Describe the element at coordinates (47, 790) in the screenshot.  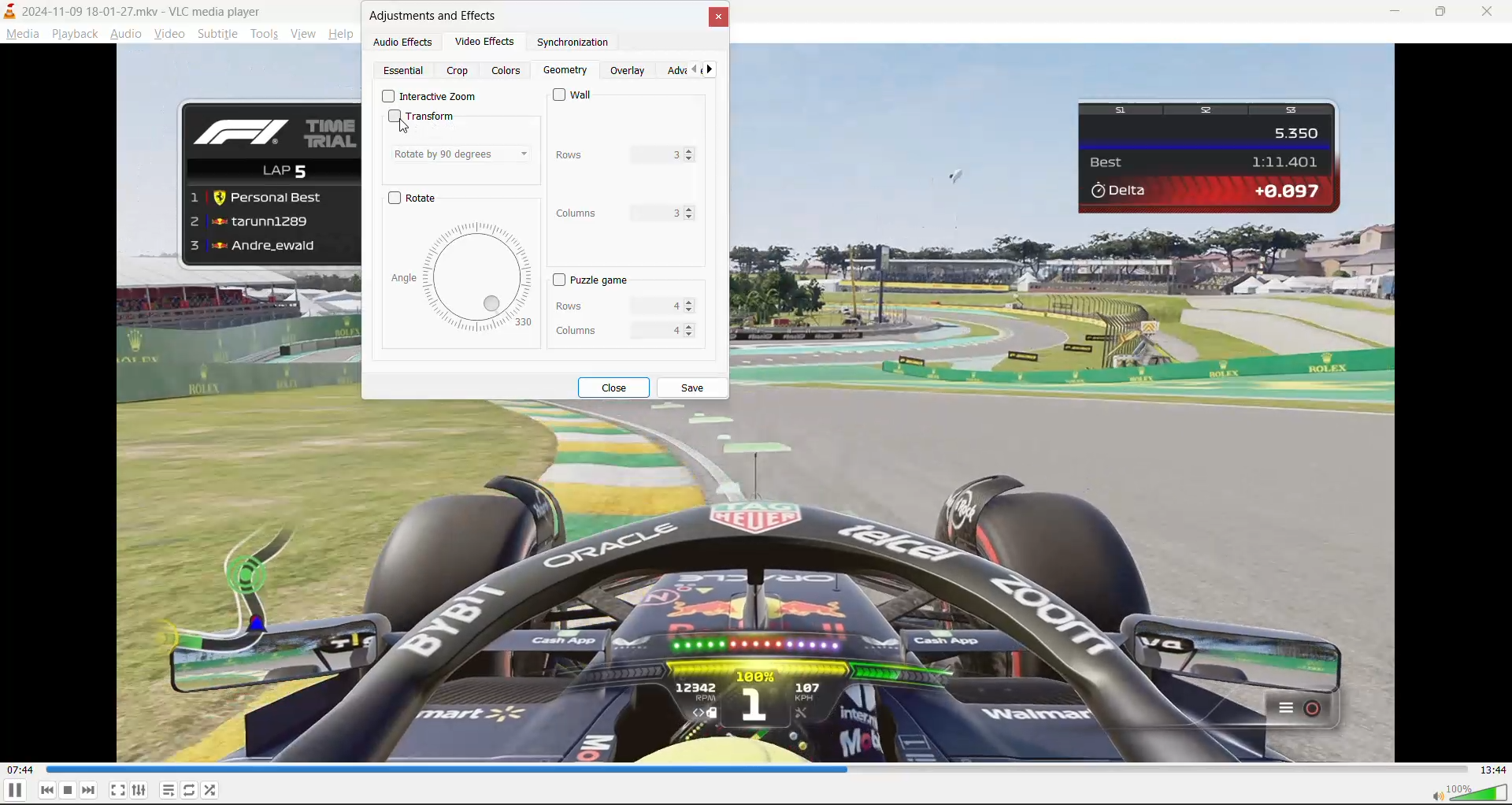
I see `previous` at that location.